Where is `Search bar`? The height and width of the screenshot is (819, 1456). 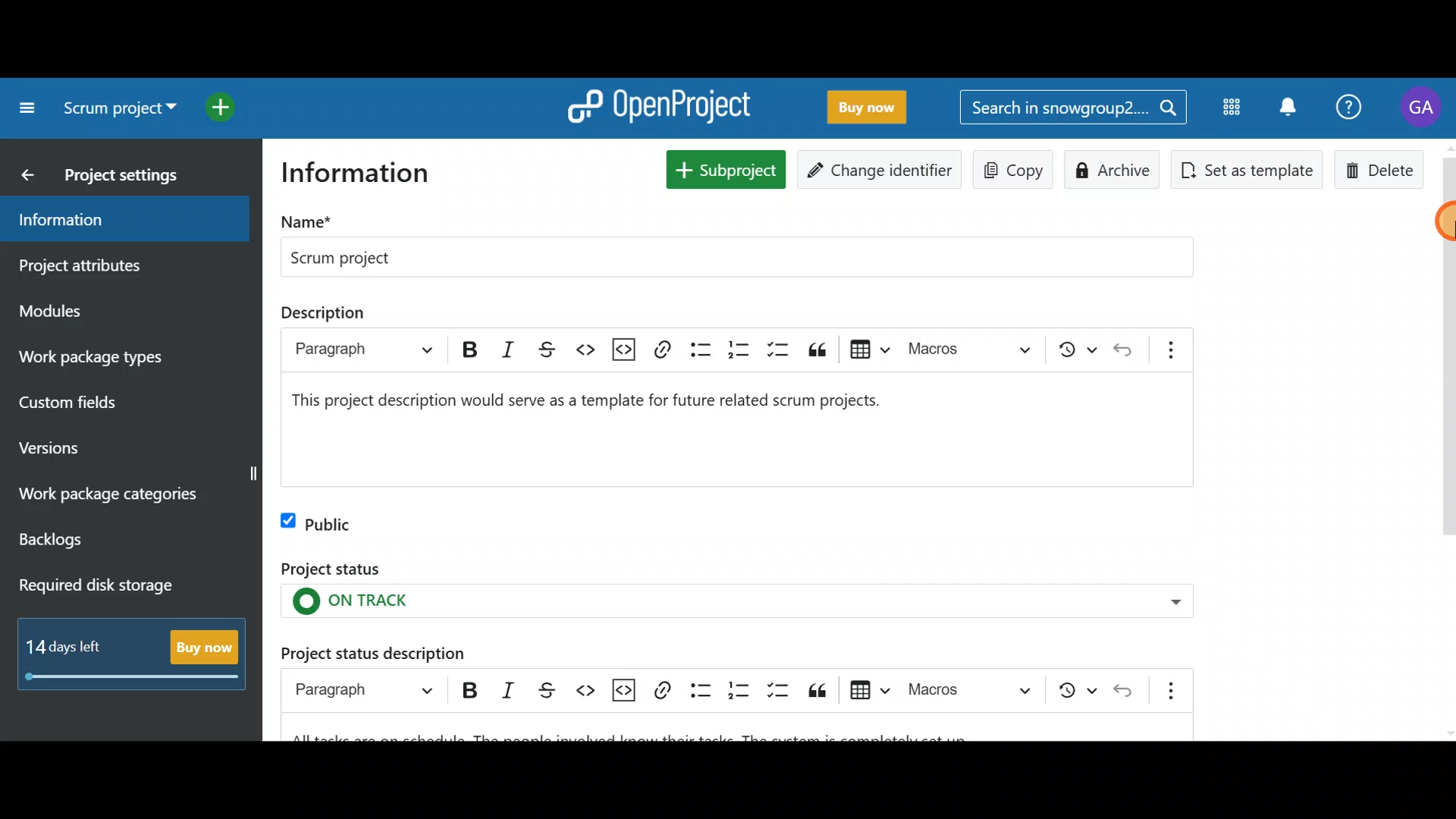 Search bar is located at coordinates (1072, 110).